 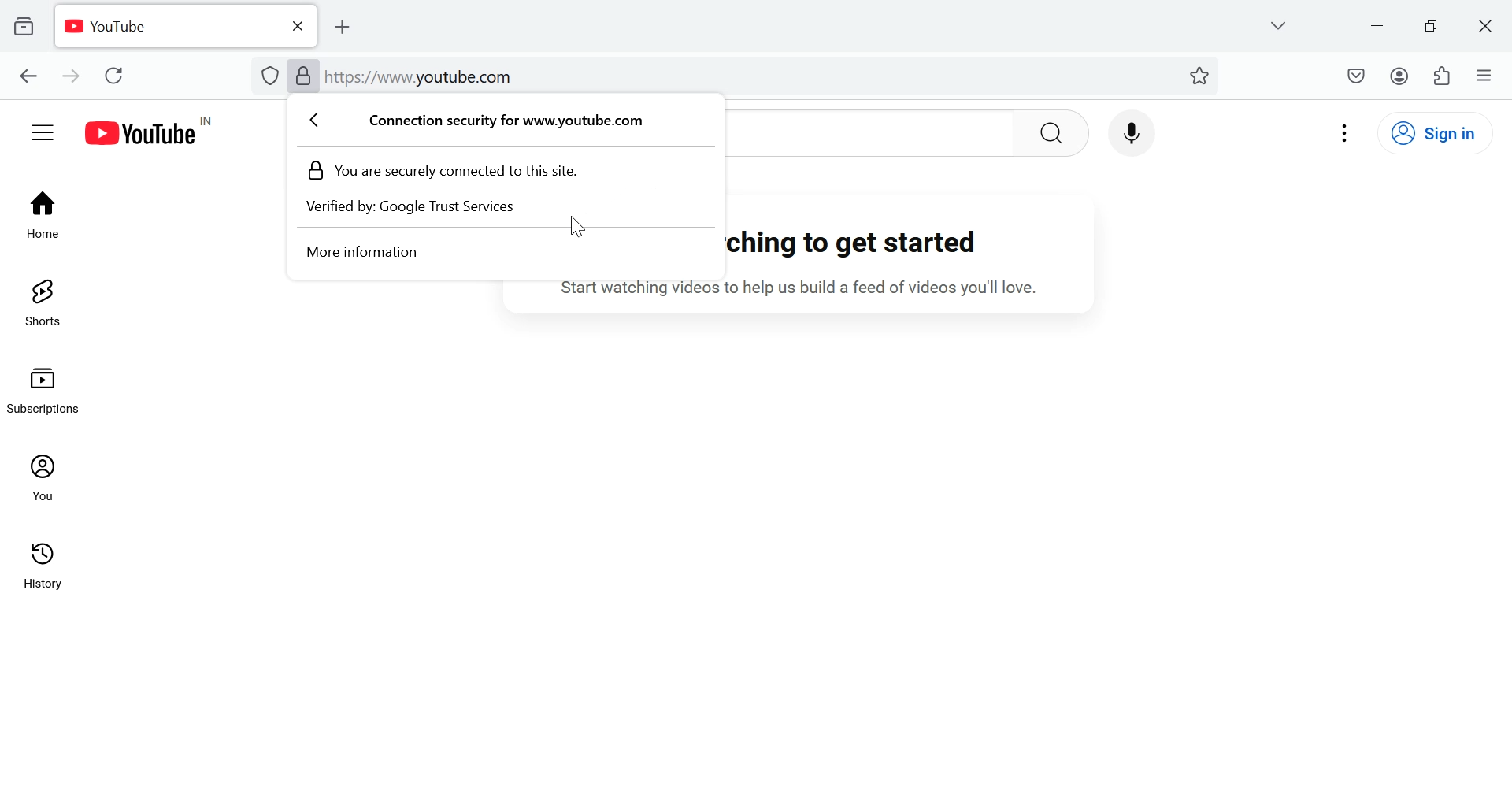 What do you see at coordinates (869, 133) in the screenshot?
I see `Search field` at bounding box center [869, 133].